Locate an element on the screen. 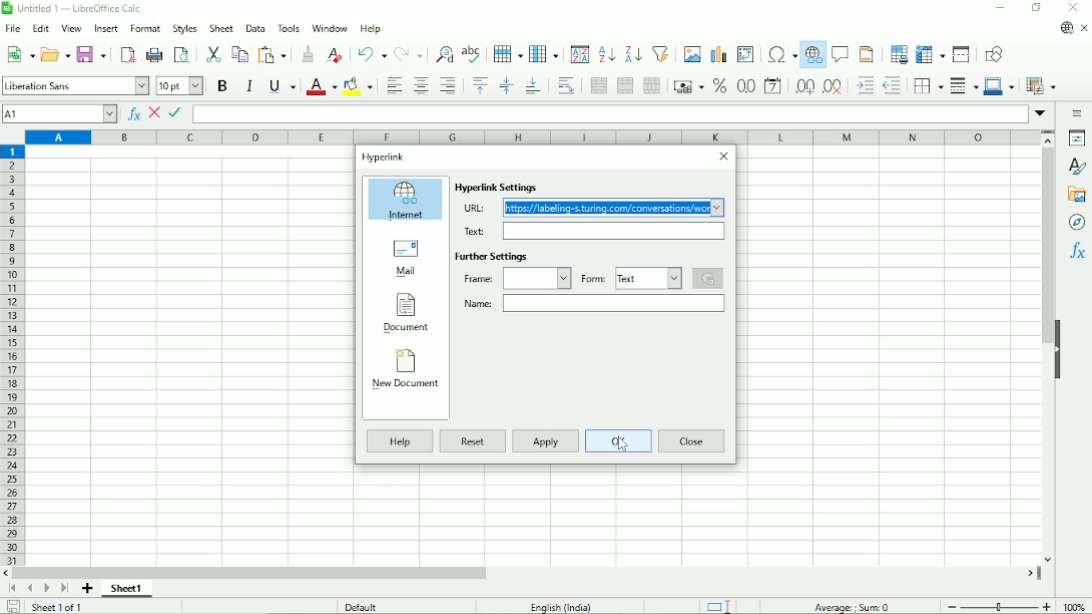  Input line is located at coordinates (610, 114).